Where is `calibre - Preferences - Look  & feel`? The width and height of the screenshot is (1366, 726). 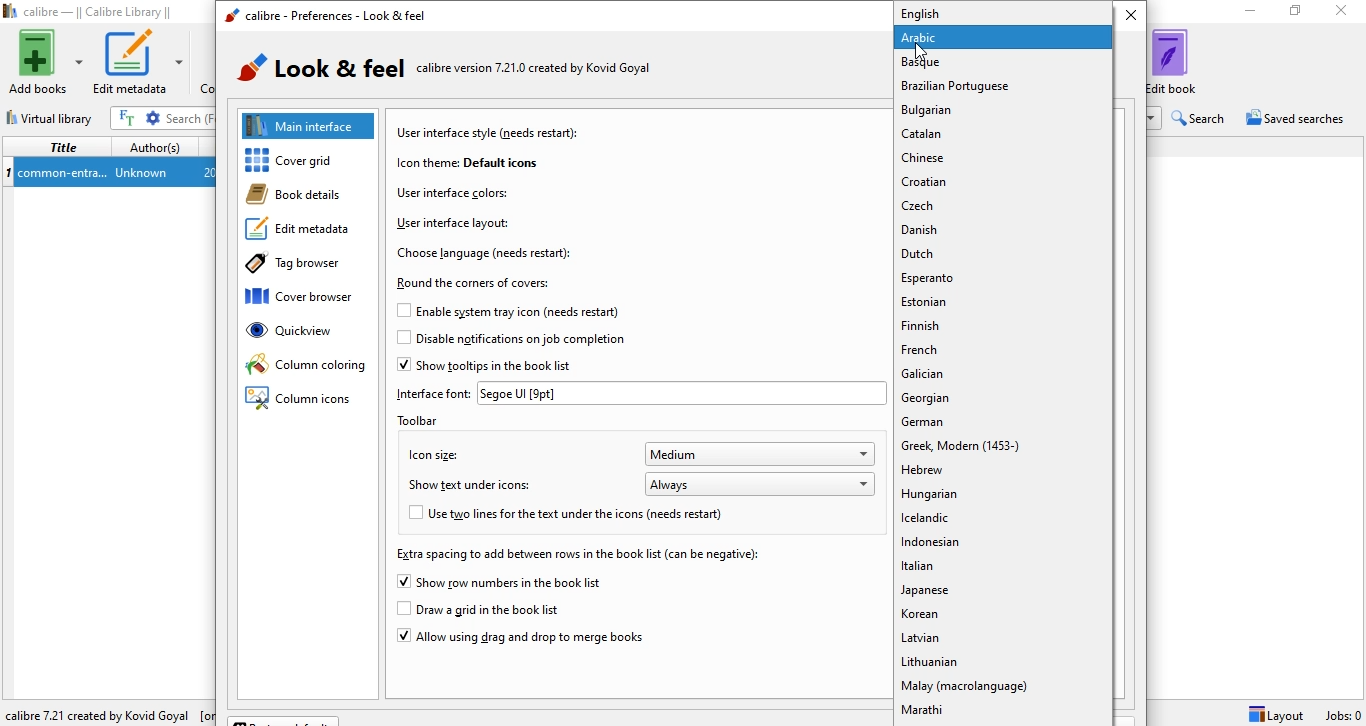 calibre - Preferences - Look  & feel is located at coordinates (324, 17).